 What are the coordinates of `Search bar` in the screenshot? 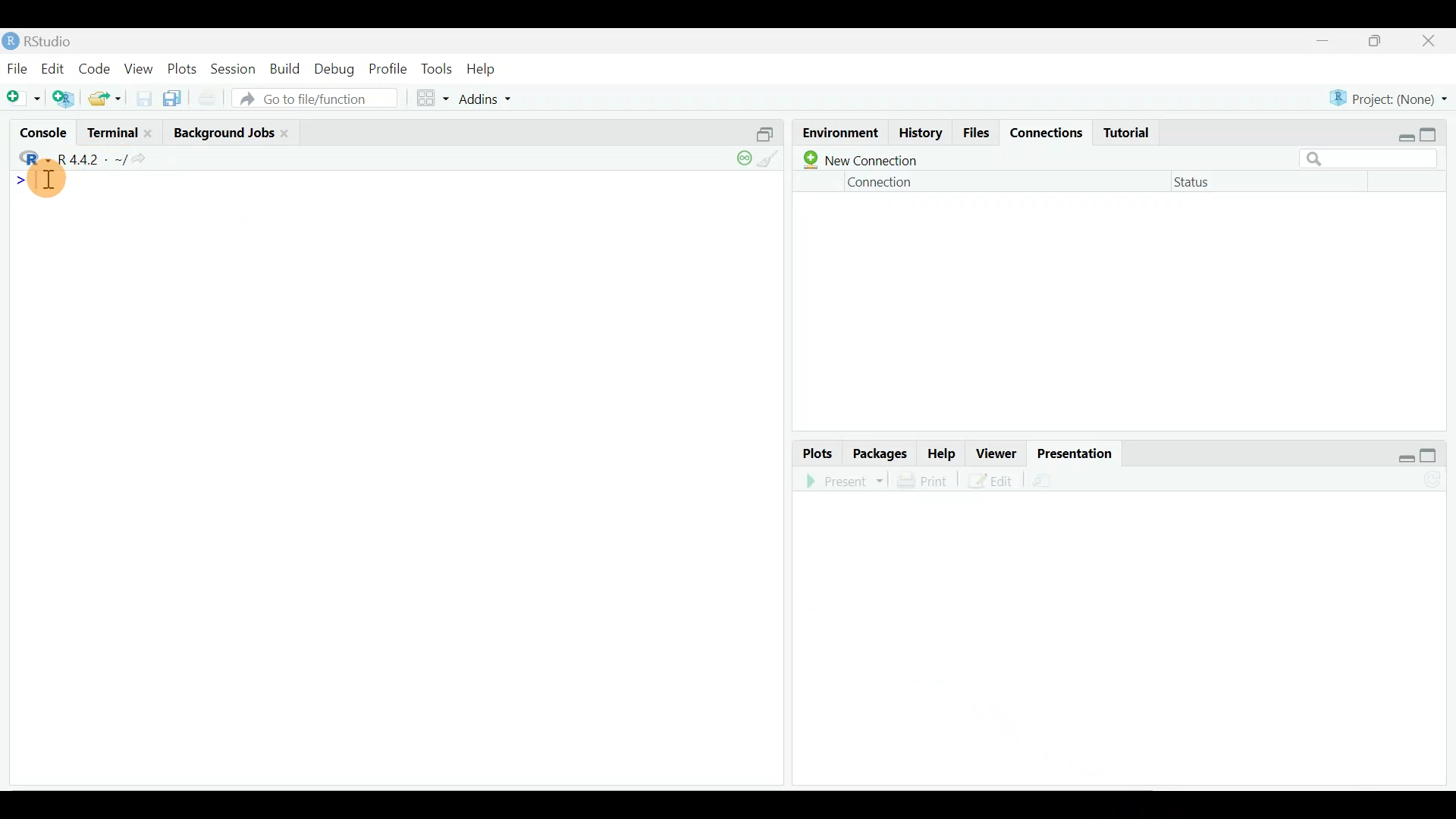 It's located at (1370, 159).